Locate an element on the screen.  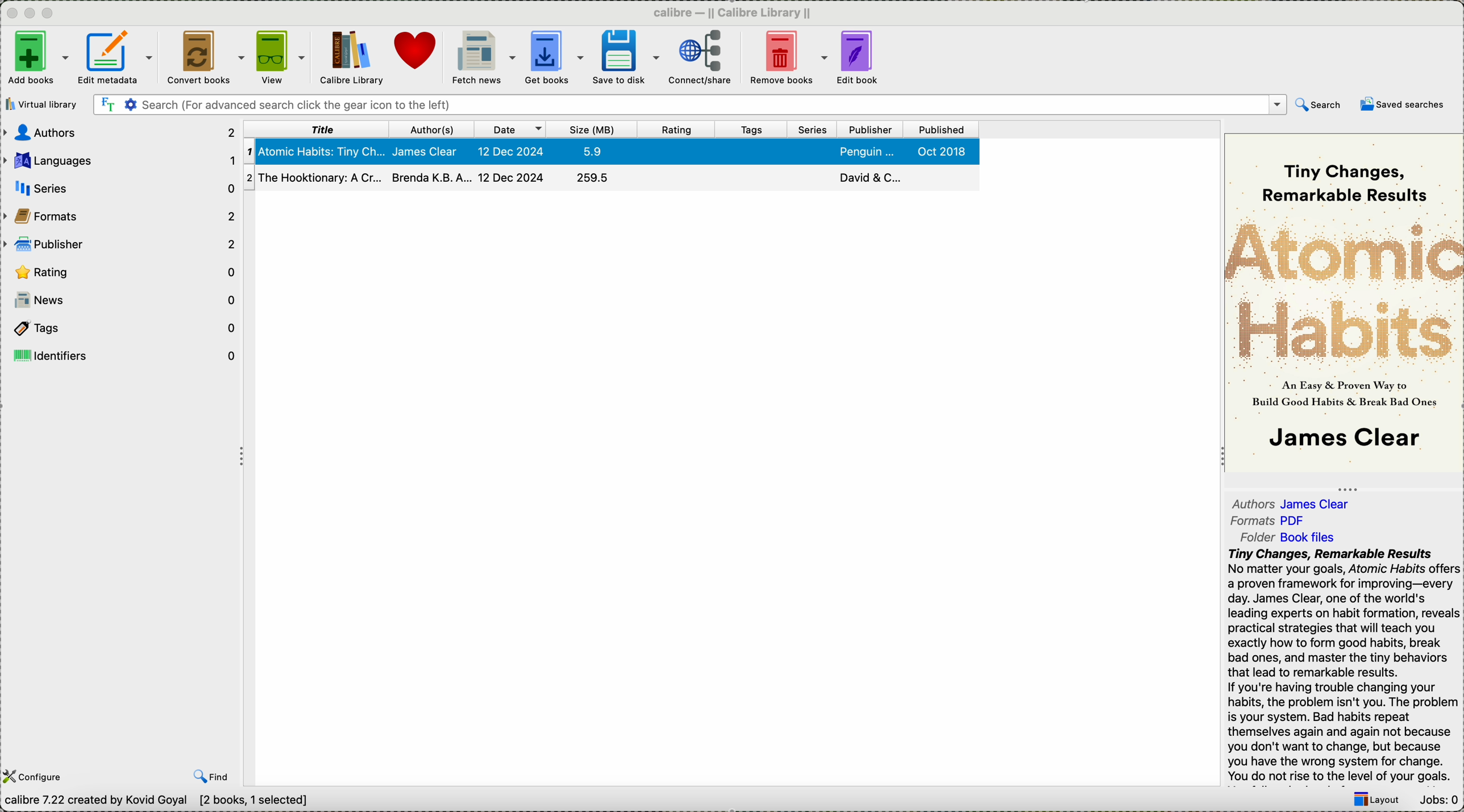
publisher is located at coordinates (120, 245).